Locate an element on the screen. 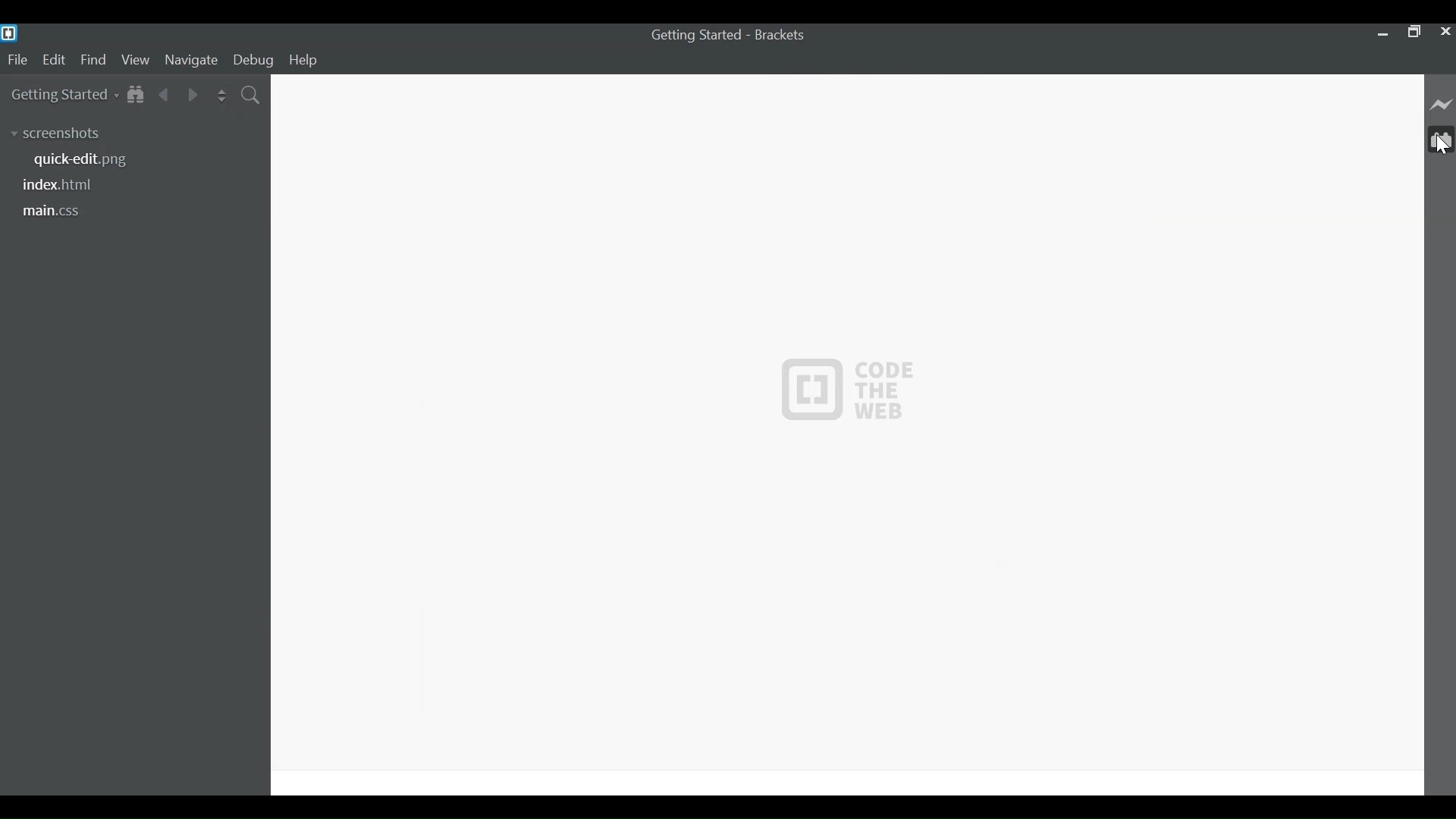  png file is located at coordinates (83, 160).